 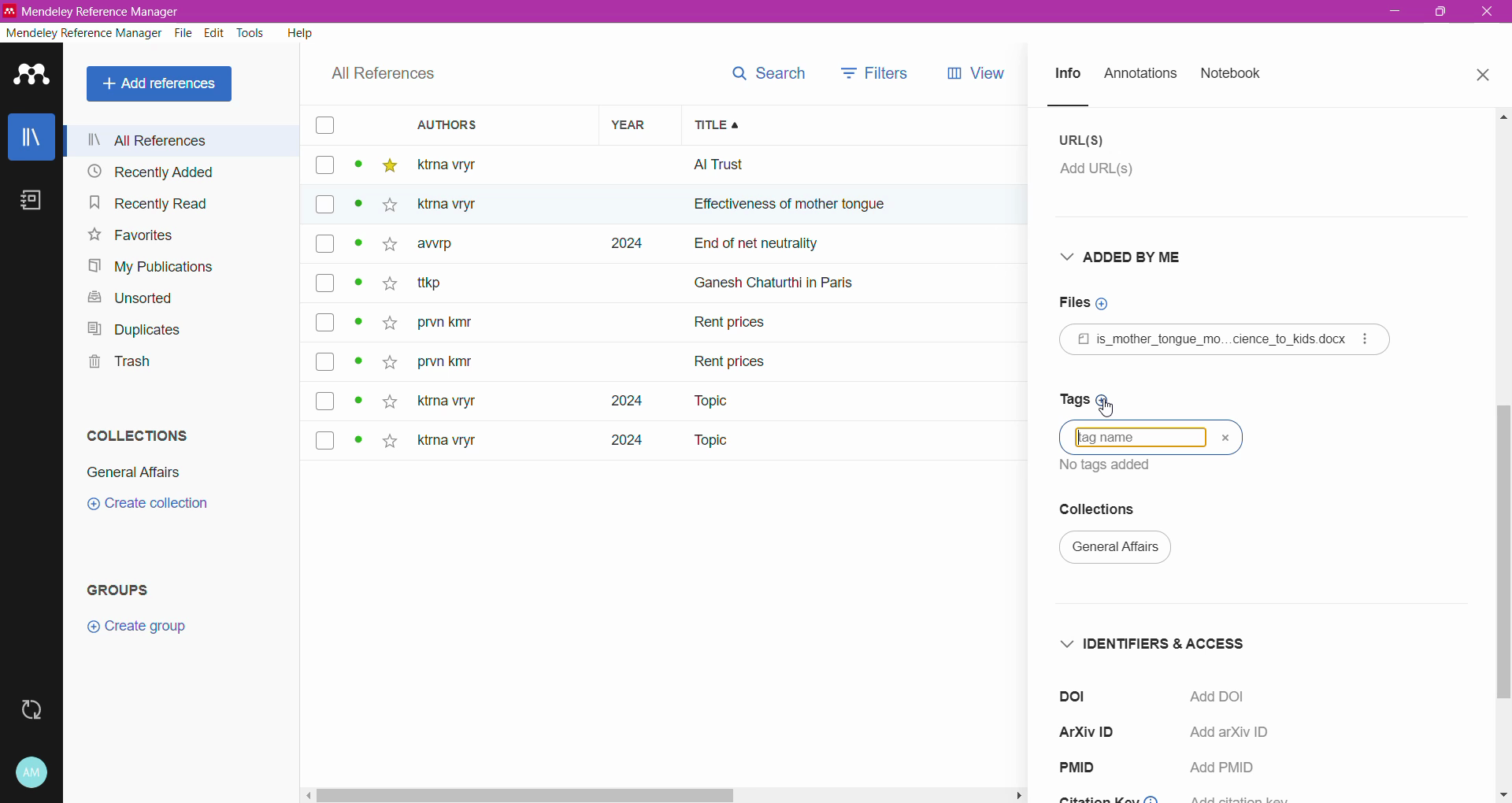 What do you see at coordinates (700, 401) in the screenshot?
I see `Topic` at bounding box center [700, 401].